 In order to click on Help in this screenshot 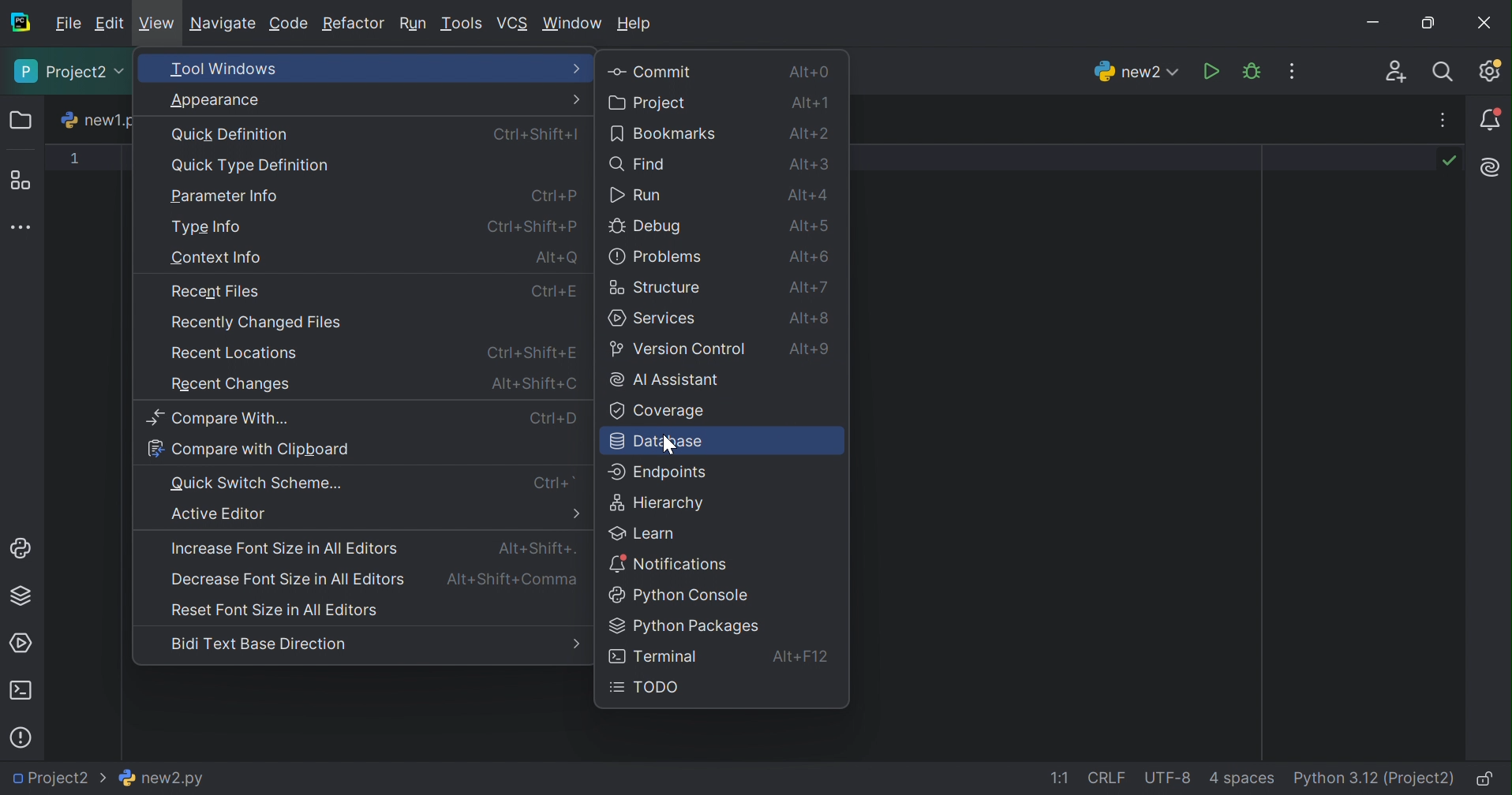, I will do `click(636, 25)`.